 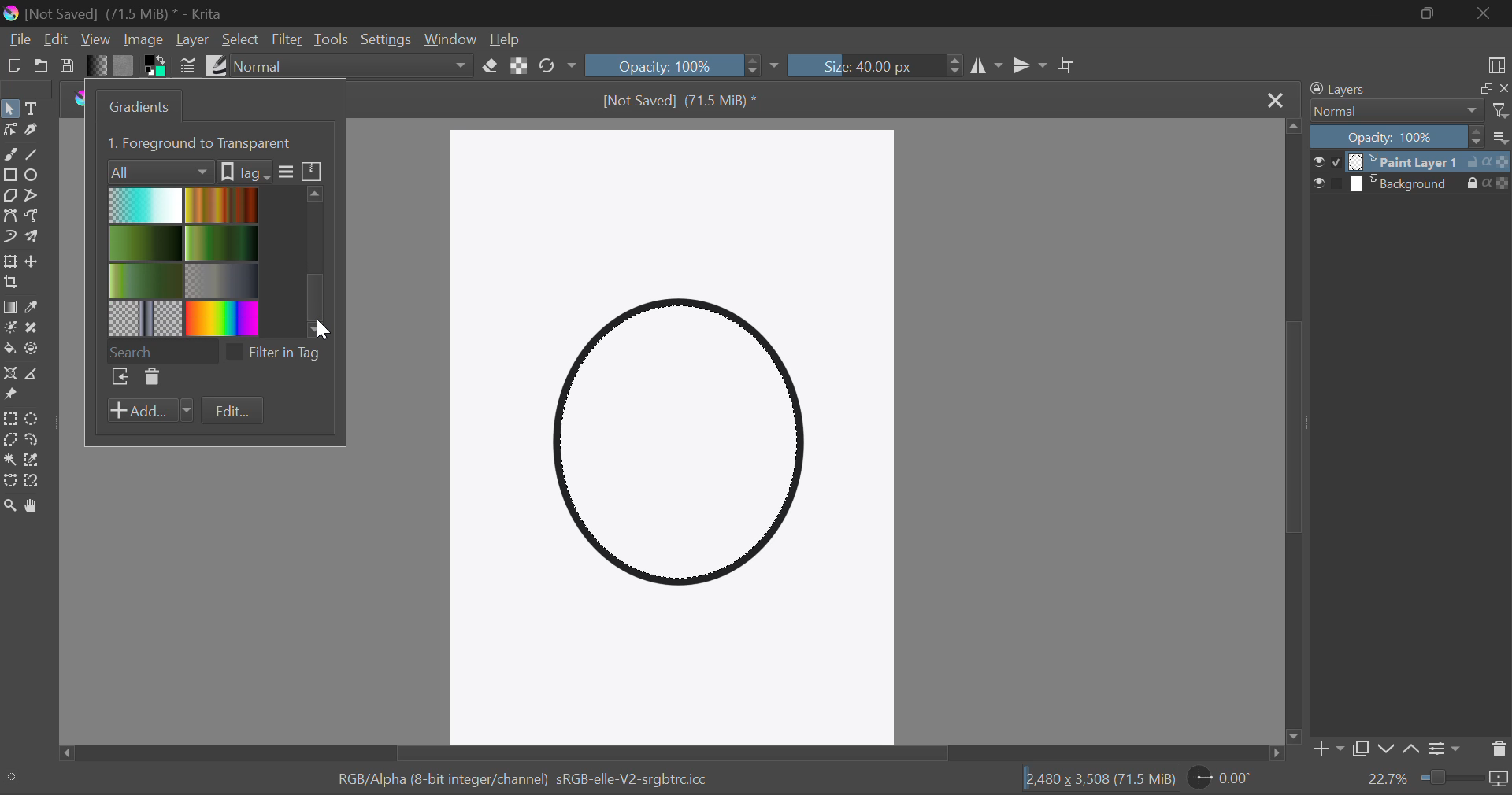 What do you see at coordinates (1328, 750) in the screenshot?
I see `Add Layer` at bounding box center [1328, 750].